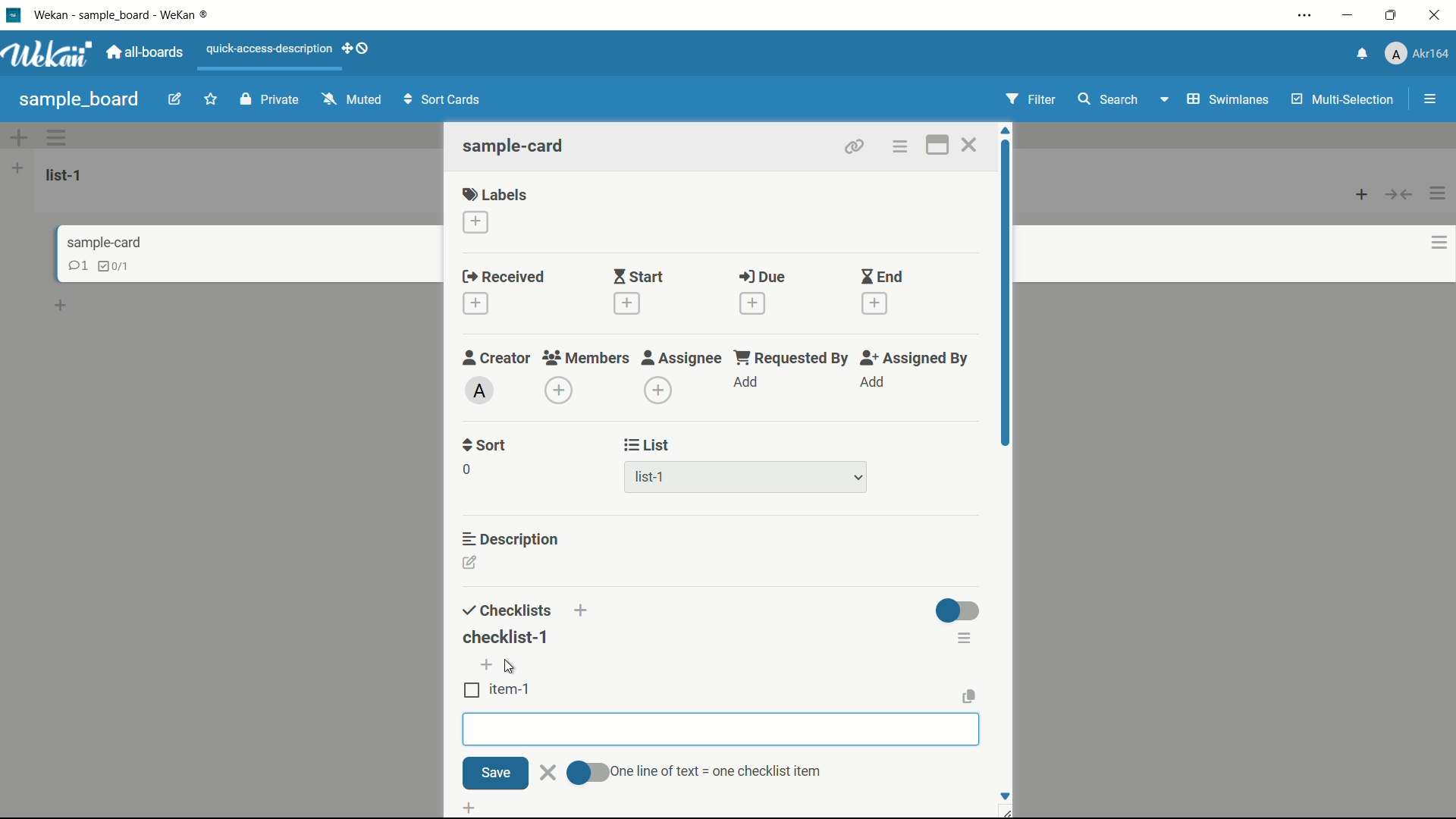 The image size is (1456, 819). Describe the element at coordinates (650, 478) in the screenshot. I see `list-1` at that location.